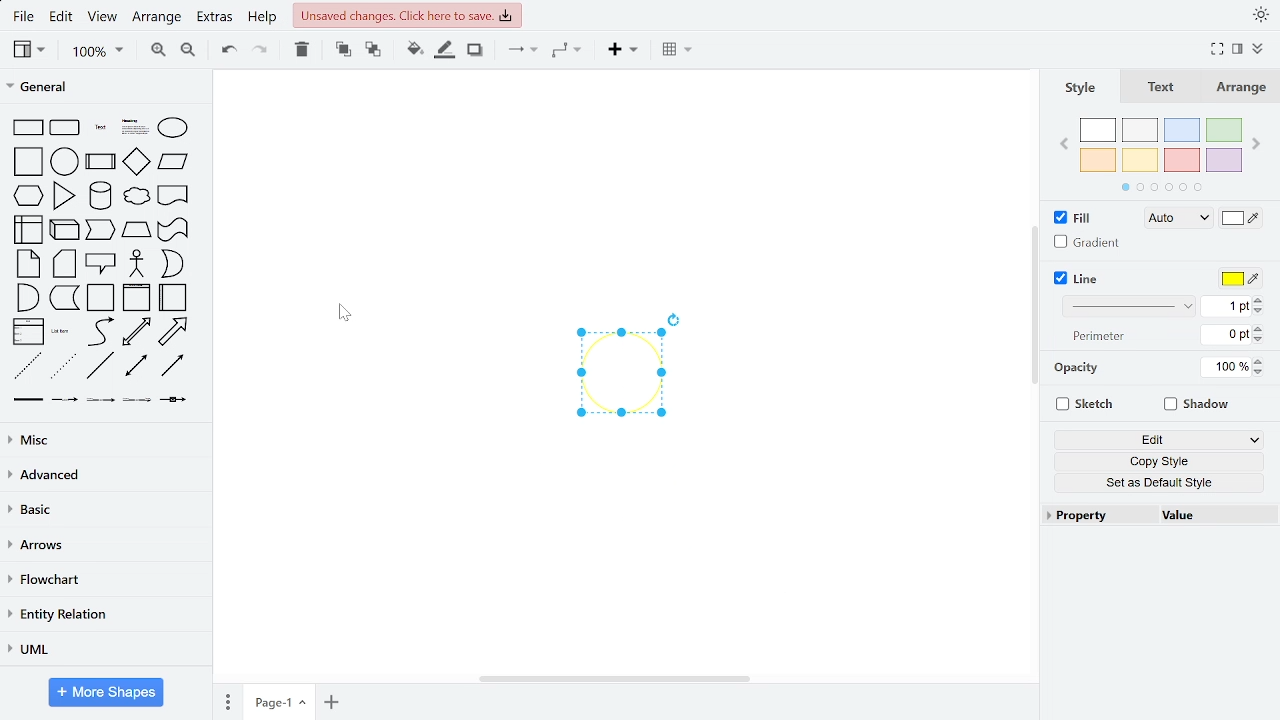 Image resolution: width=1280 pixels, height=720 pixels. I want to click on shadow, so click(477, 51).